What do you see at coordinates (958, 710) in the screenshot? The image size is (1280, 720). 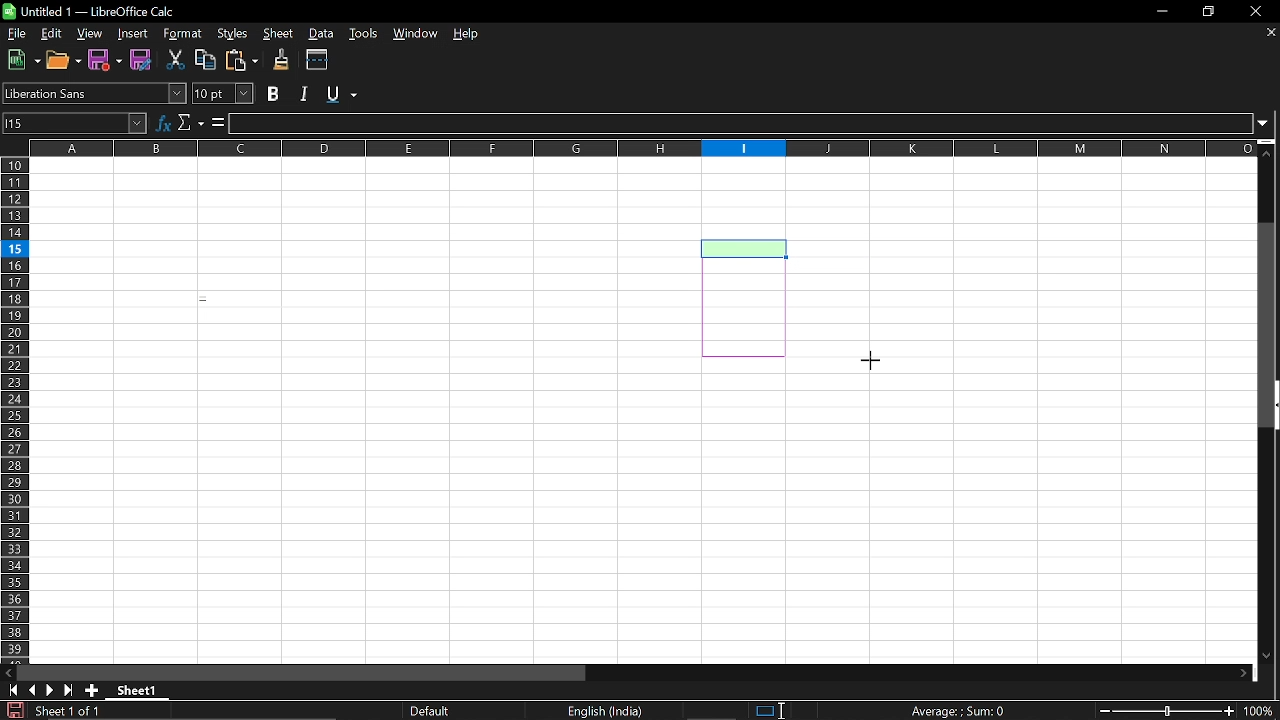 I see `Formula` at bounding box center [958, 710].